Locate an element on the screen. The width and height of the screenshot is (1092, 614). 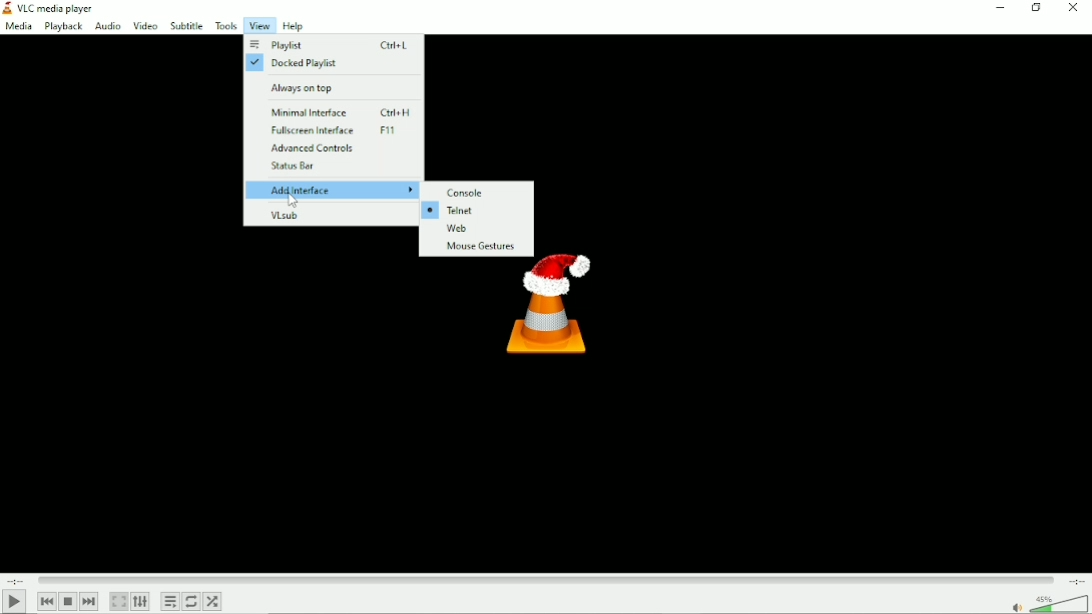
restore down is located at coordinates (1039, 8).